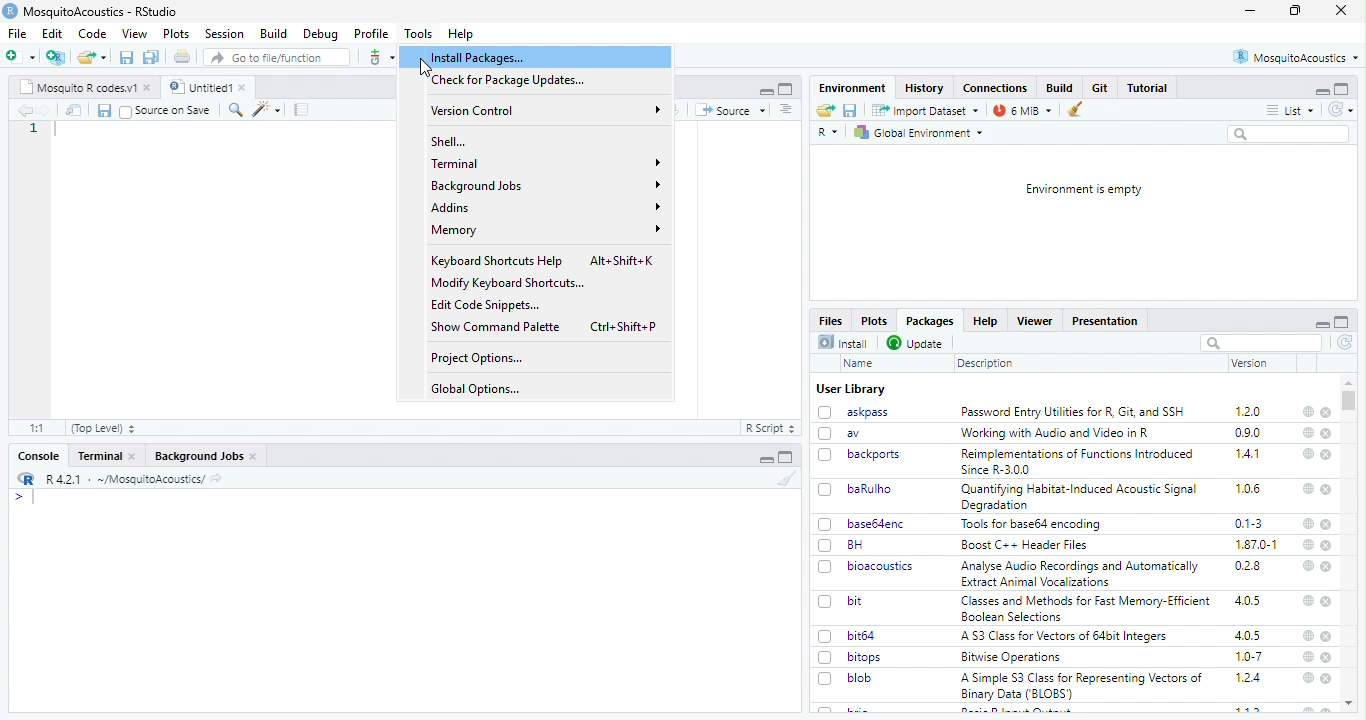  I want to click on 120, so click(1249, 412).